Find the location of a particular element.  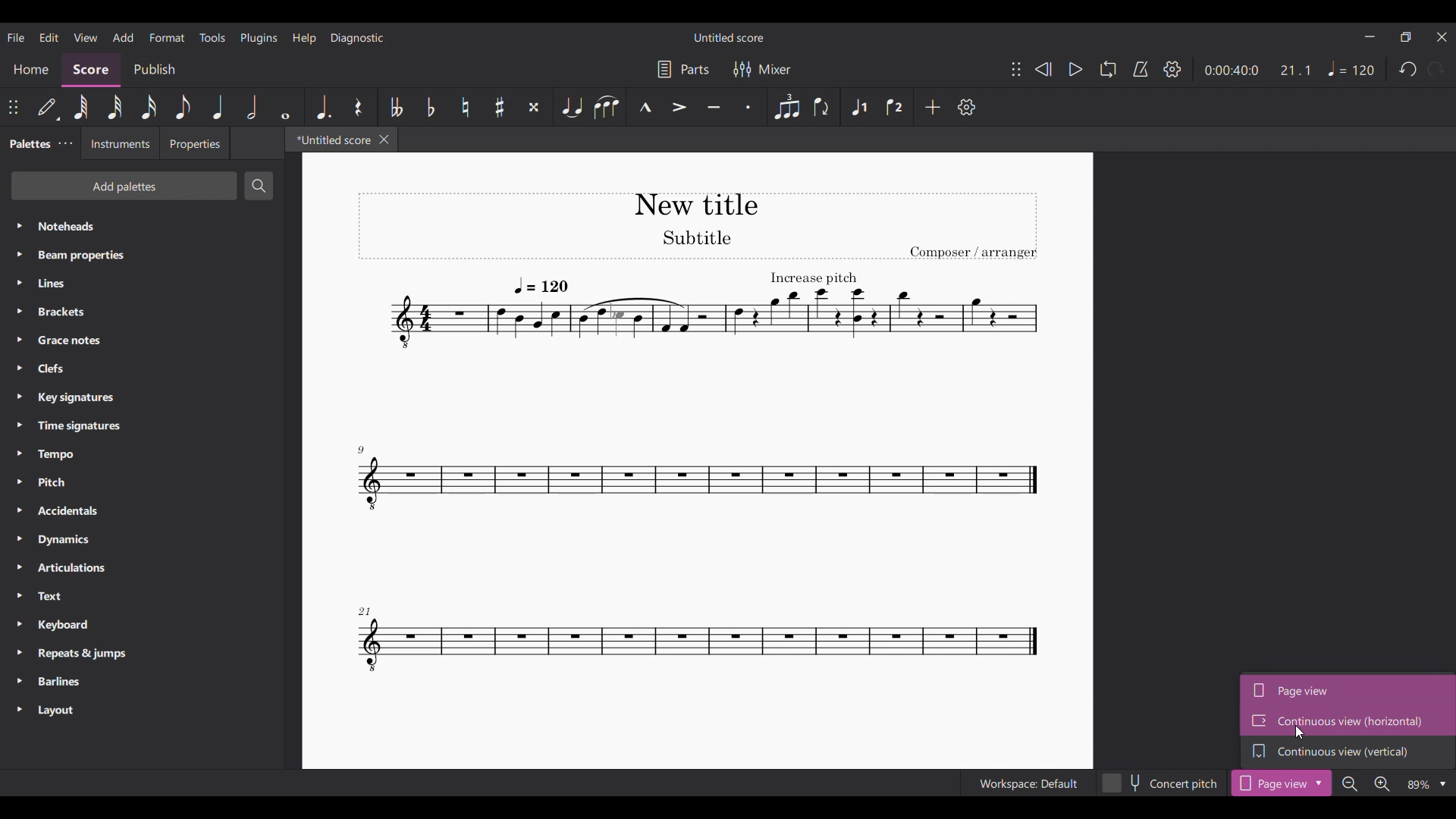

Format menu is located at coordinates (166, 37).